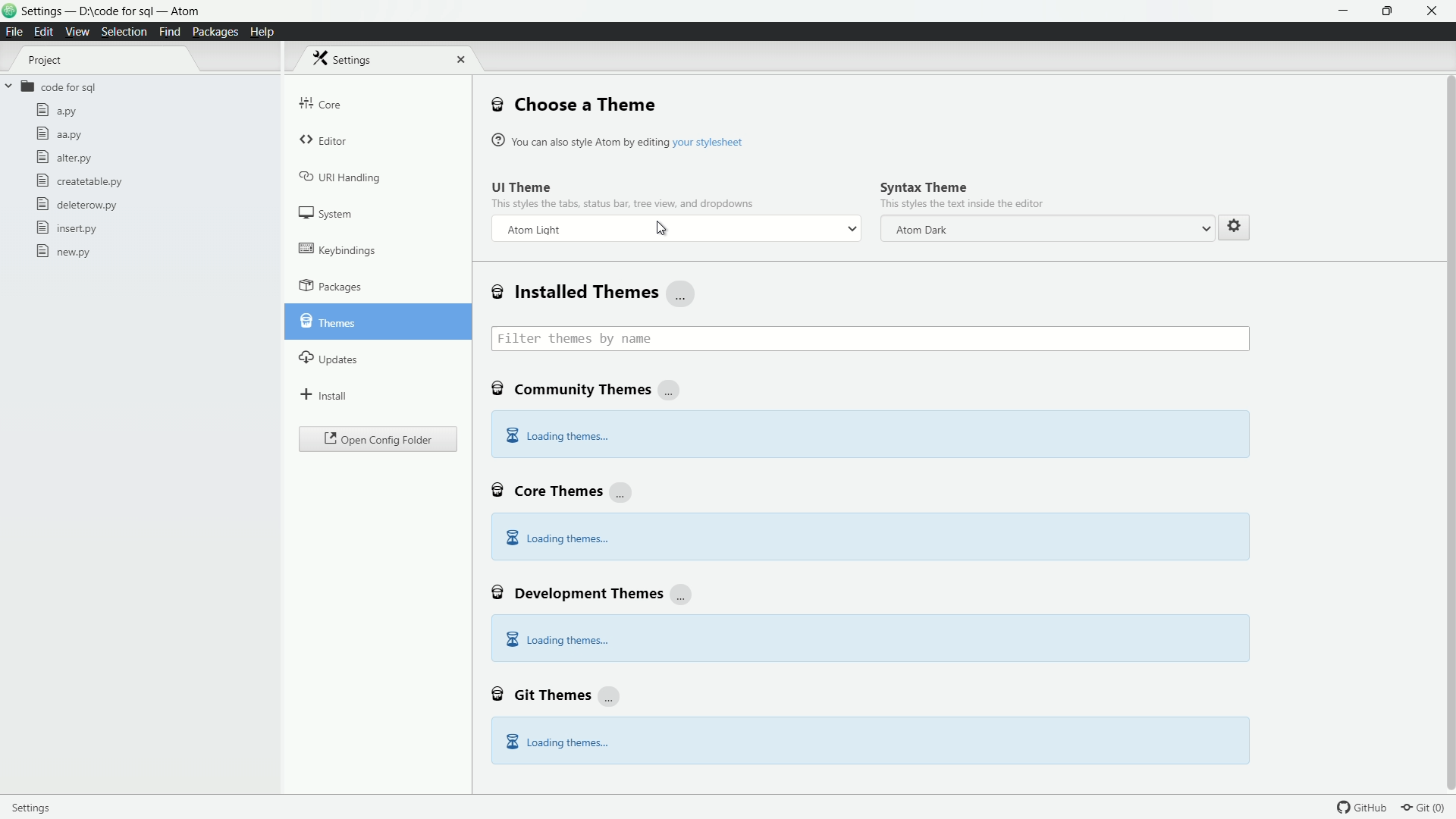 Image resolution: width=1456 pixels, height=819 pixels. Describe the element at coordinates (77, 204) in the screenshot. I see `deleterow.py file` at that location.